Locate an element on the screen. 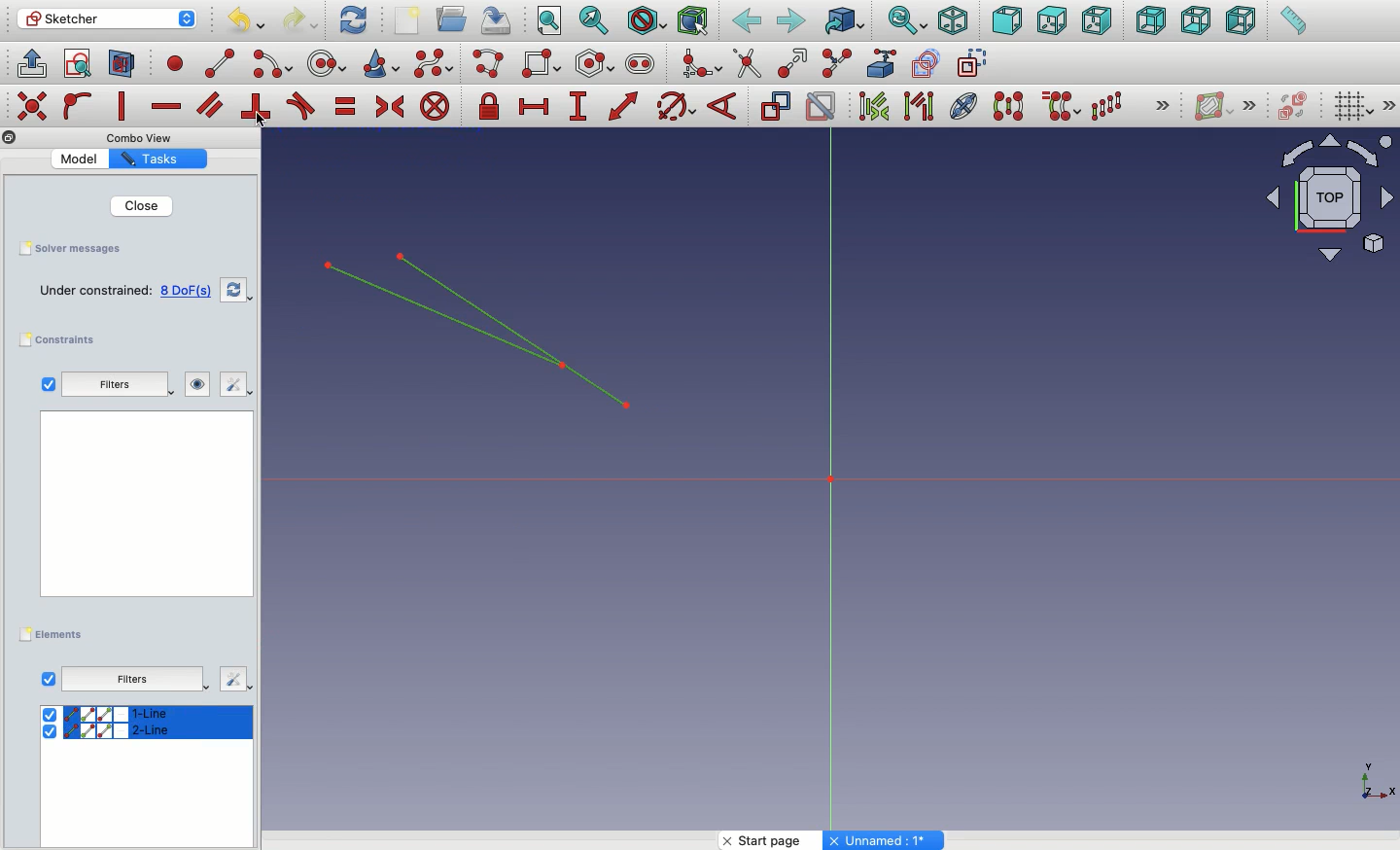  Constrain horizontal distance is located at coordinates (538, 108).